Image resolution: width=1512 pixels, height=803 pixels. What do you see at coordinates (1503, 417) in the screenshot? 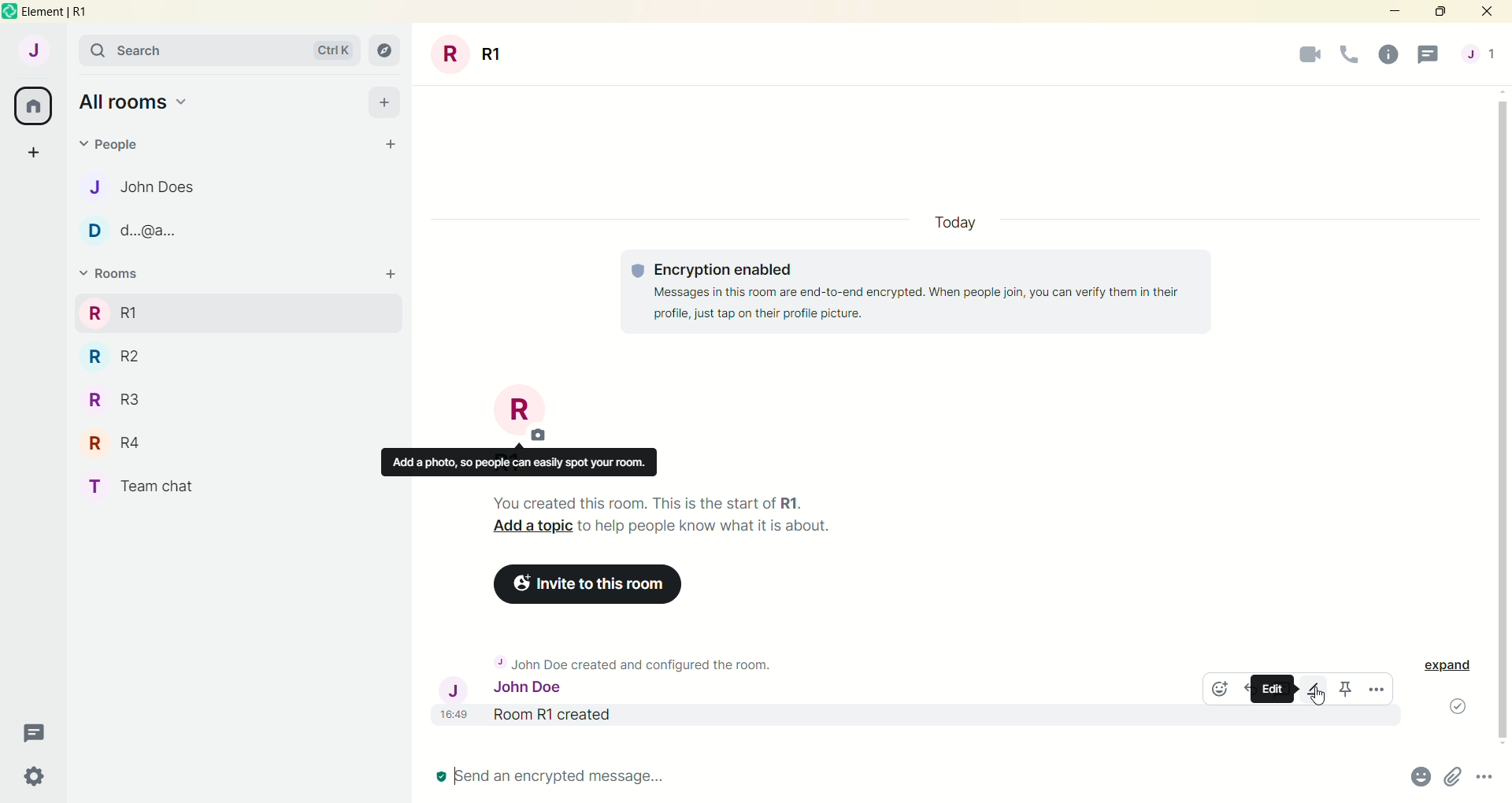
I see `vertical scroll bar` at bounding box center [1503, 417].